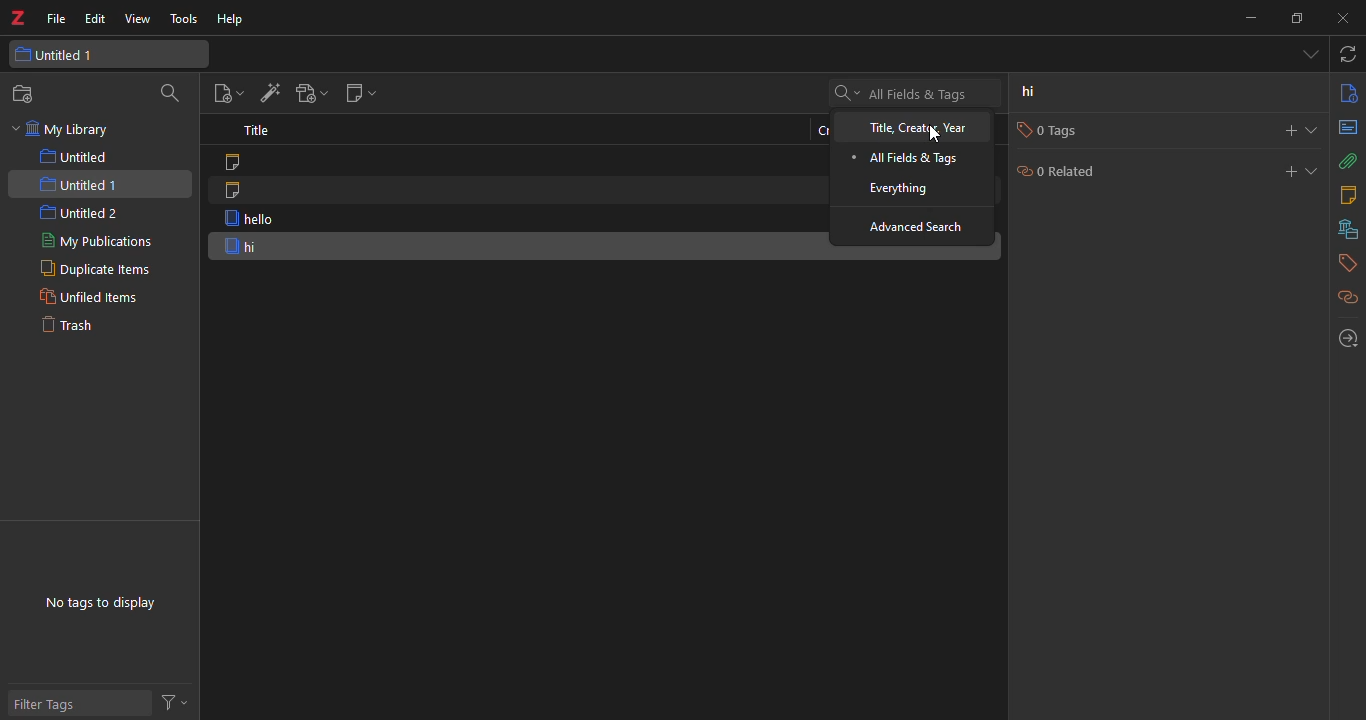 This screenshot has height=720, width=1366. I want to click on actions, so click(173, 699).